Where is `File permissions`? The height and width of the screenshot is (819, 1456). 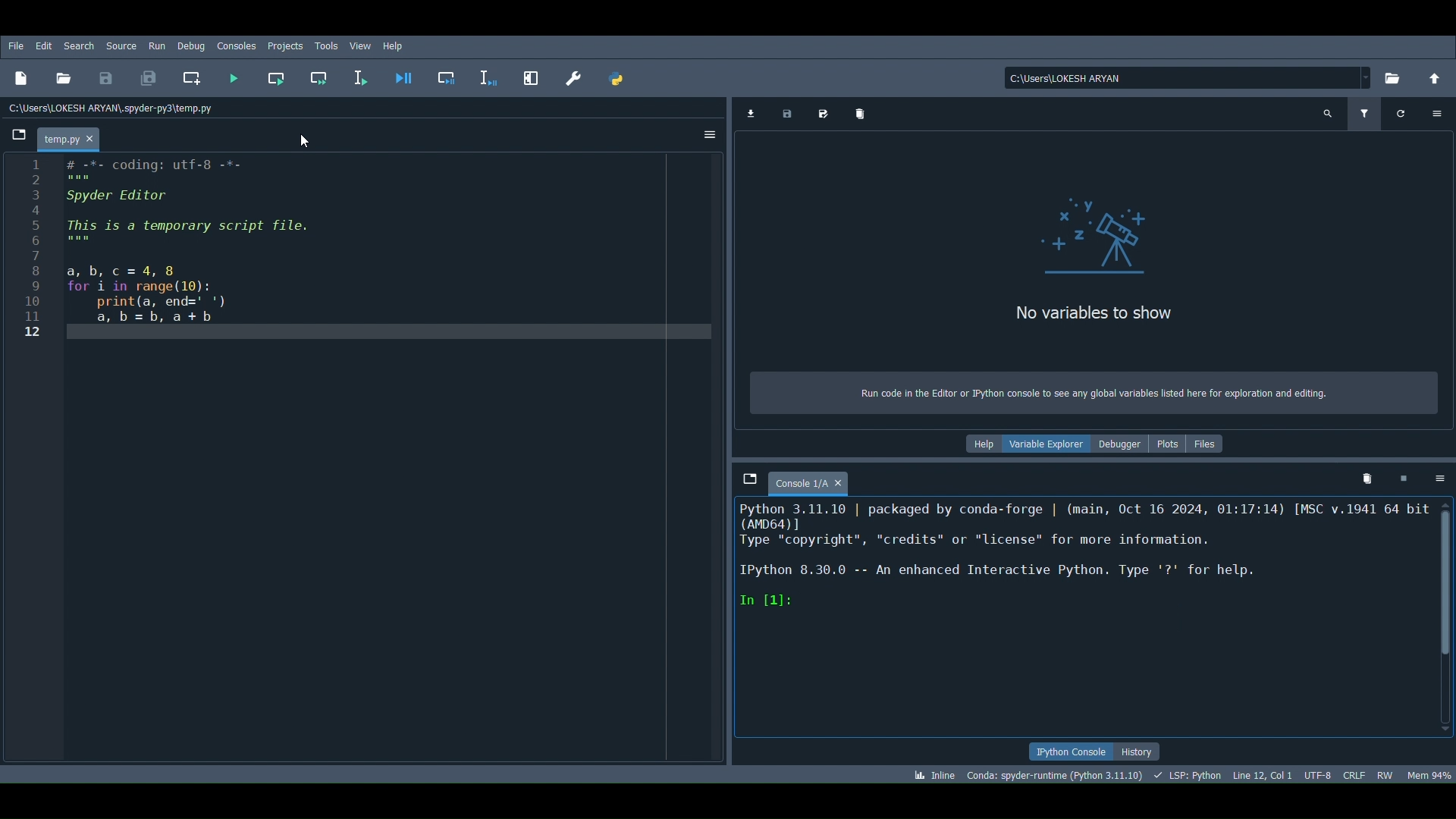 File permissions is located at coordinates (1384, 773).